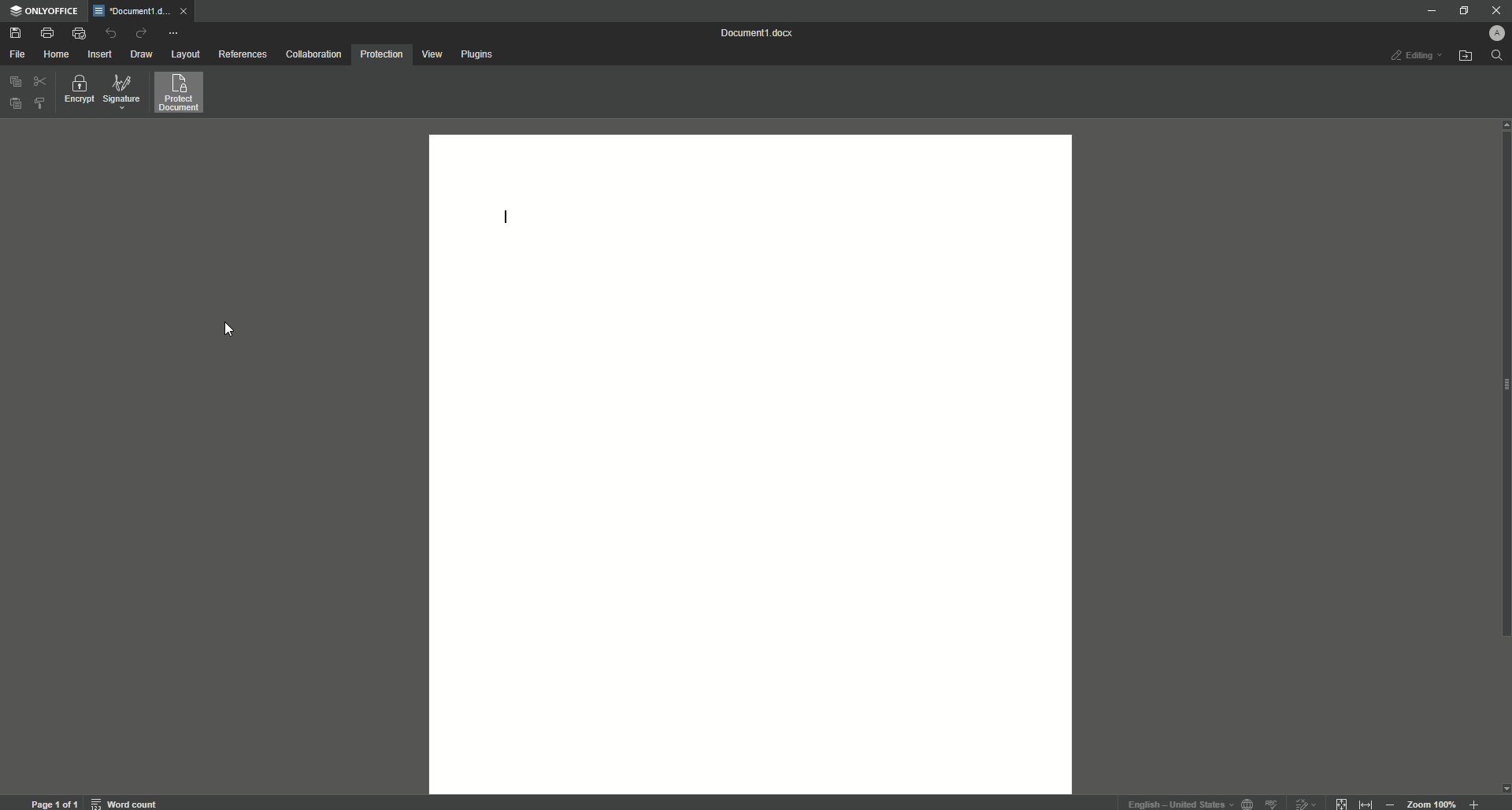  I want to click on scroll down, so click(1503, 788).